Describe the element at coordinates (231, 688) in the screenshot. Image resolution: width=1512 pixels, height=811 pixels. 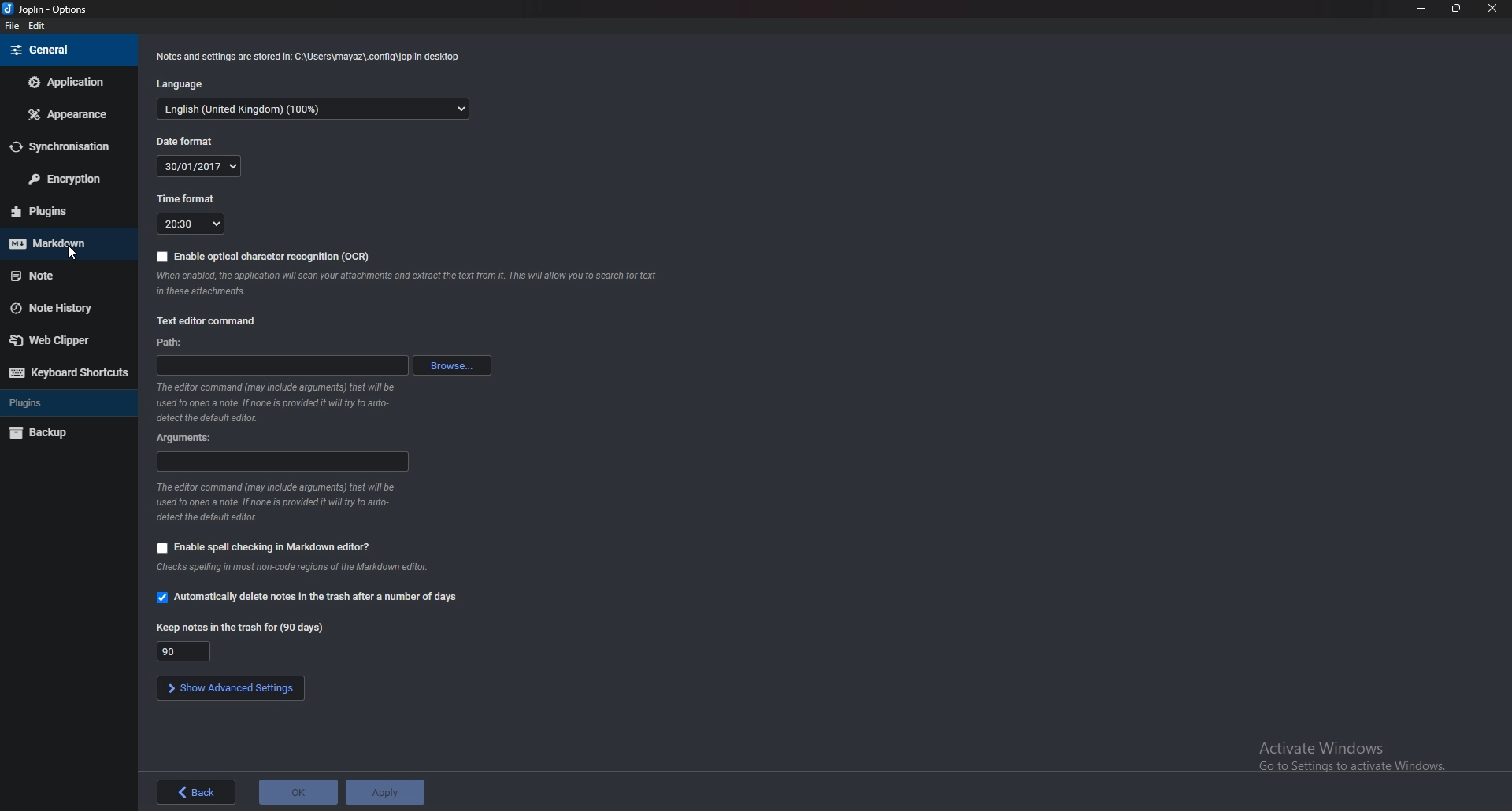
I see `show advanced settings` at that location.